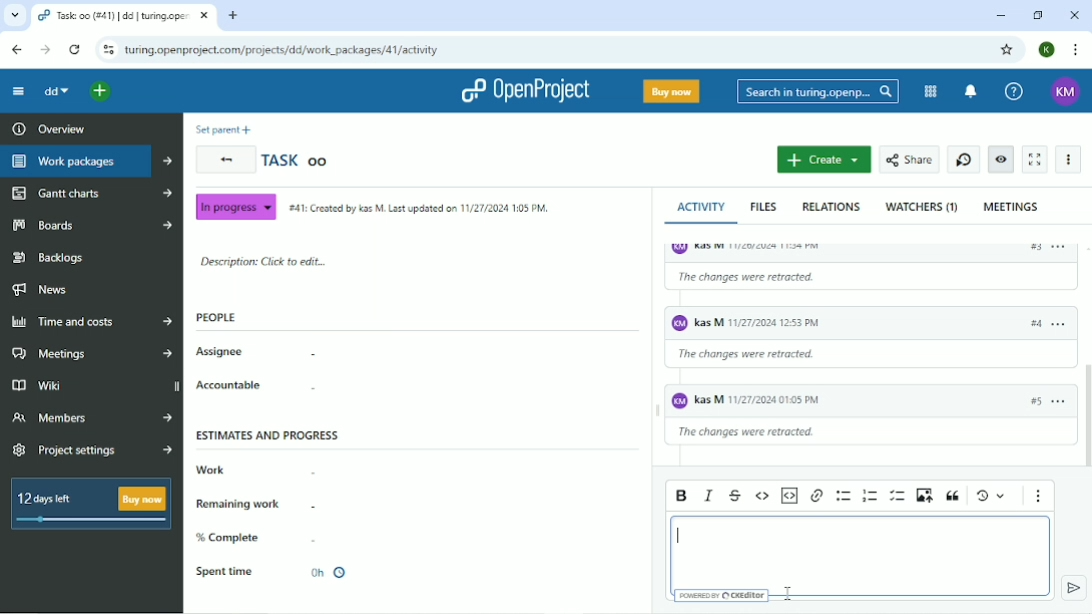 The width and height of the screenshot is (1092, 614). Describe the element at coordinates (953, 497) in the screenshot. I see `Block quote` at that location.